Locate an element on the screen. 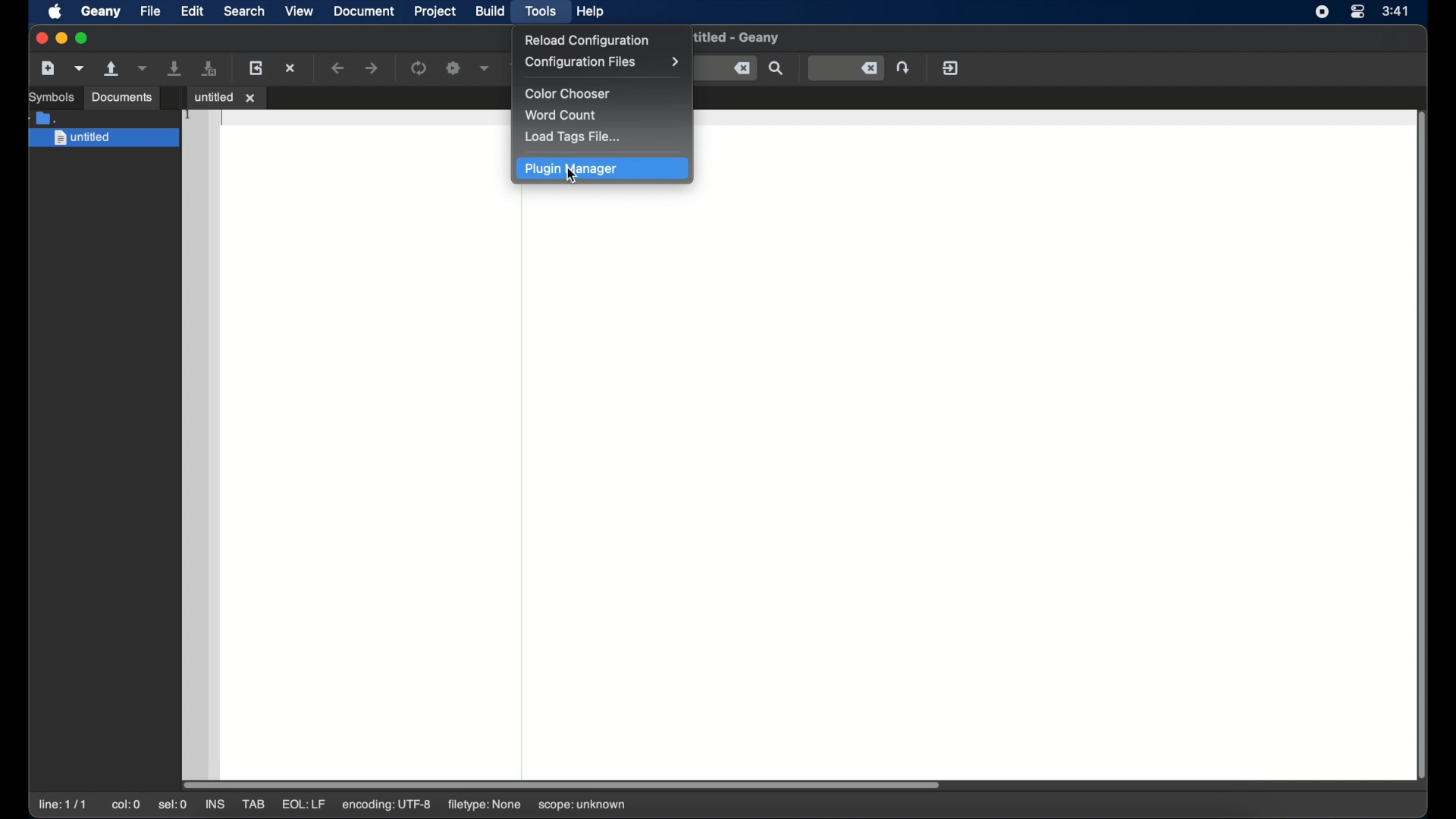  scroll box is located at coordinates (564, 783).